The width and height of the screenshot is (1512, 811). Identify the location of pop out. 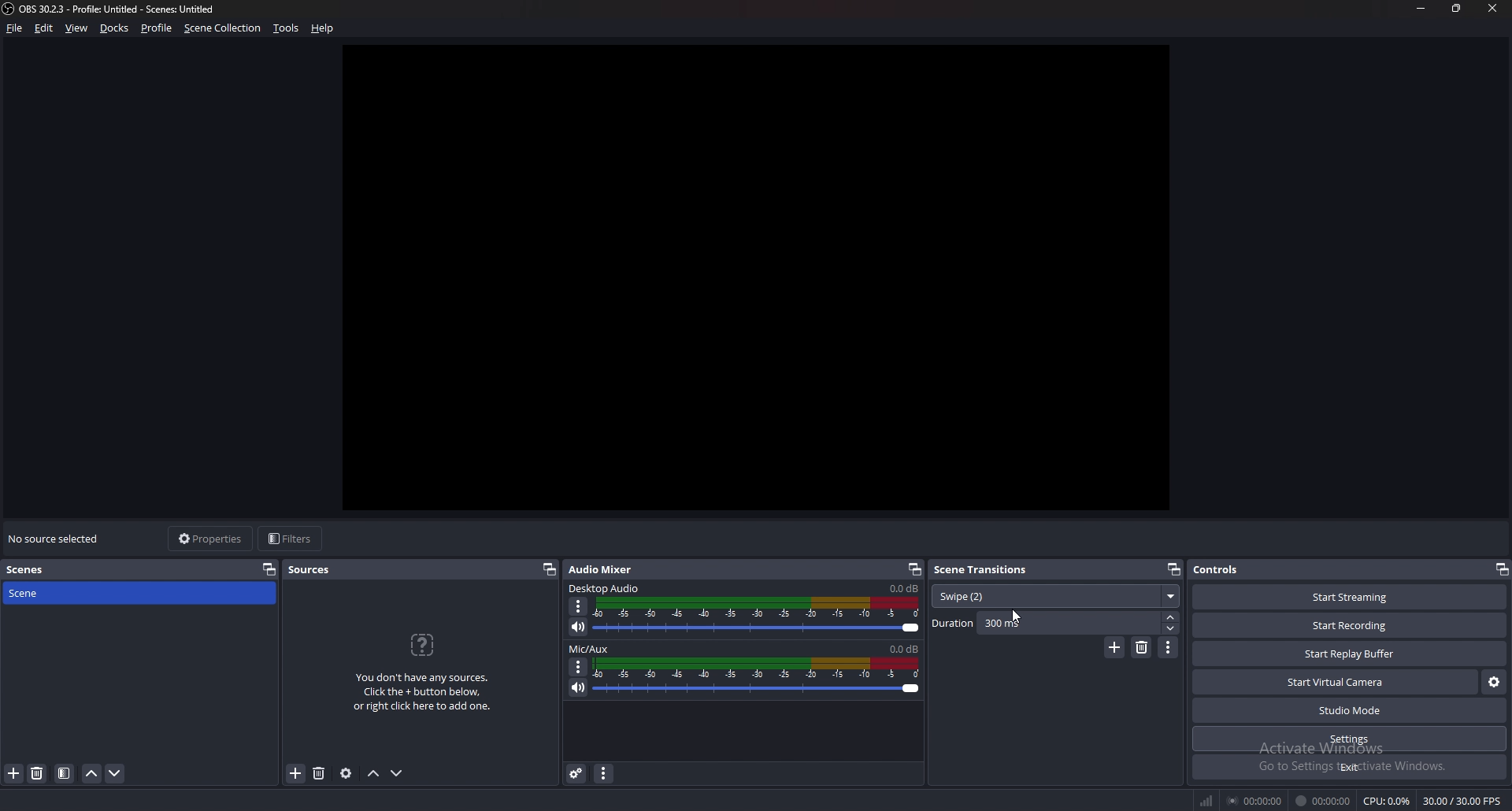
(1173, 570).